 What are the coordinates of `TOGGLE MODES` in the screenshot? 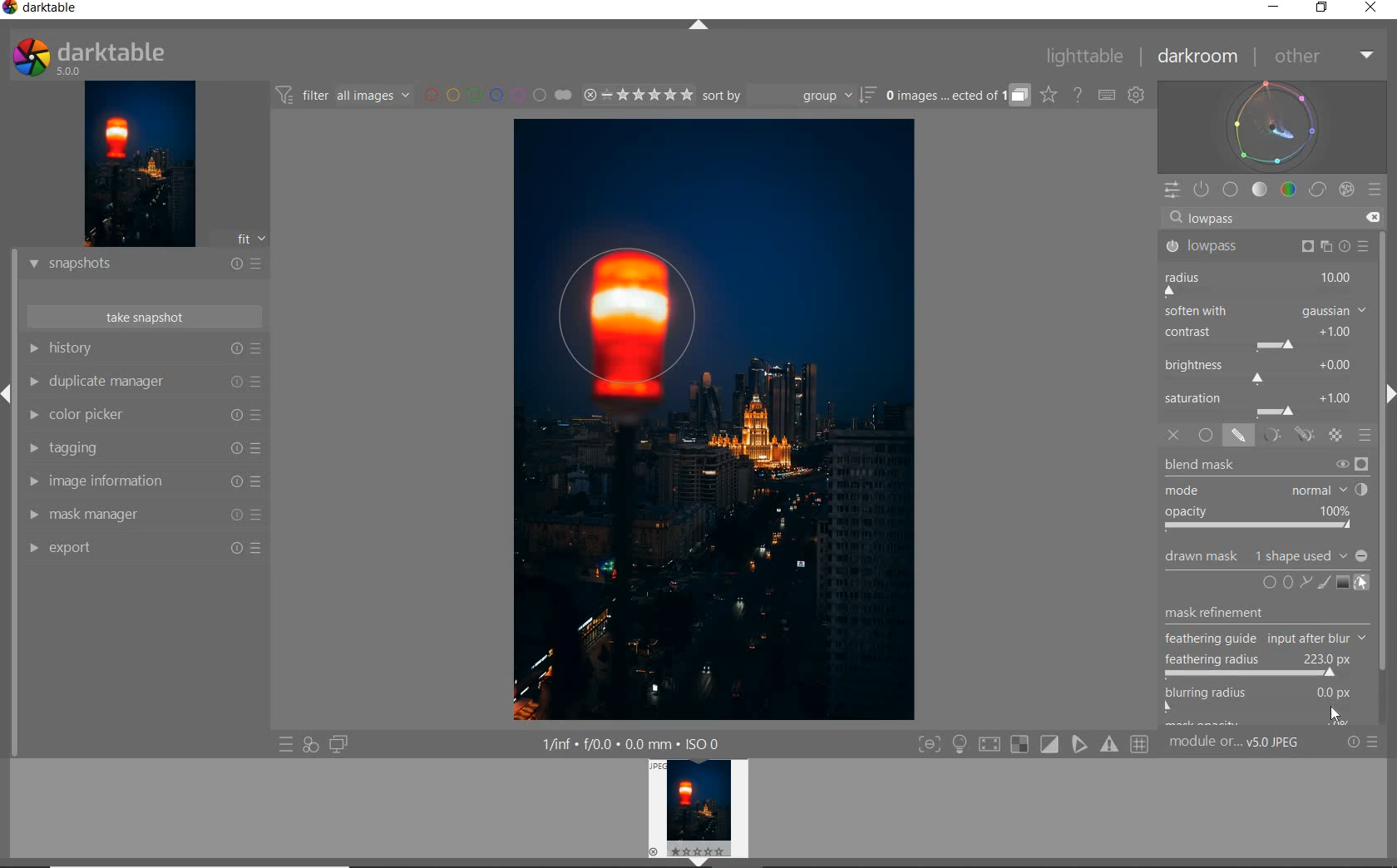 It's located at (1034, 744).